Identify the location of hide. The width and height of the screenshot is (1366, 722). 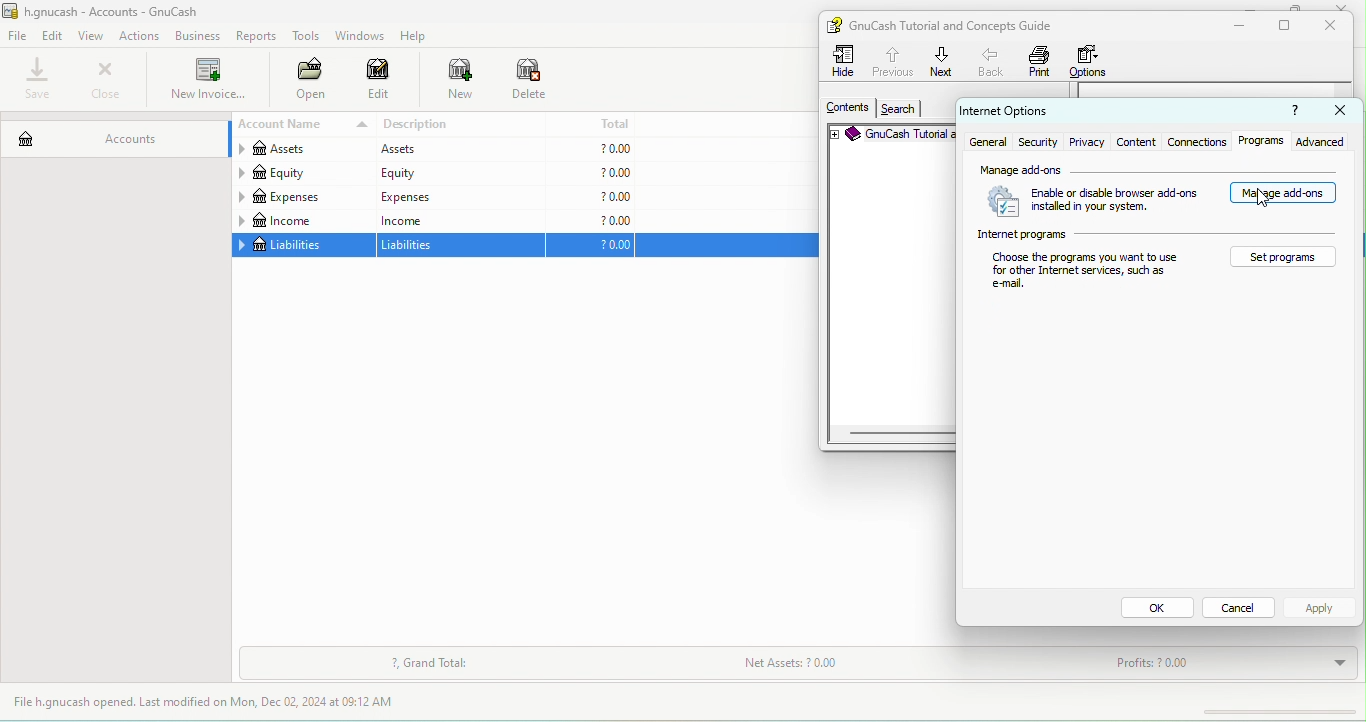
(846, 61).